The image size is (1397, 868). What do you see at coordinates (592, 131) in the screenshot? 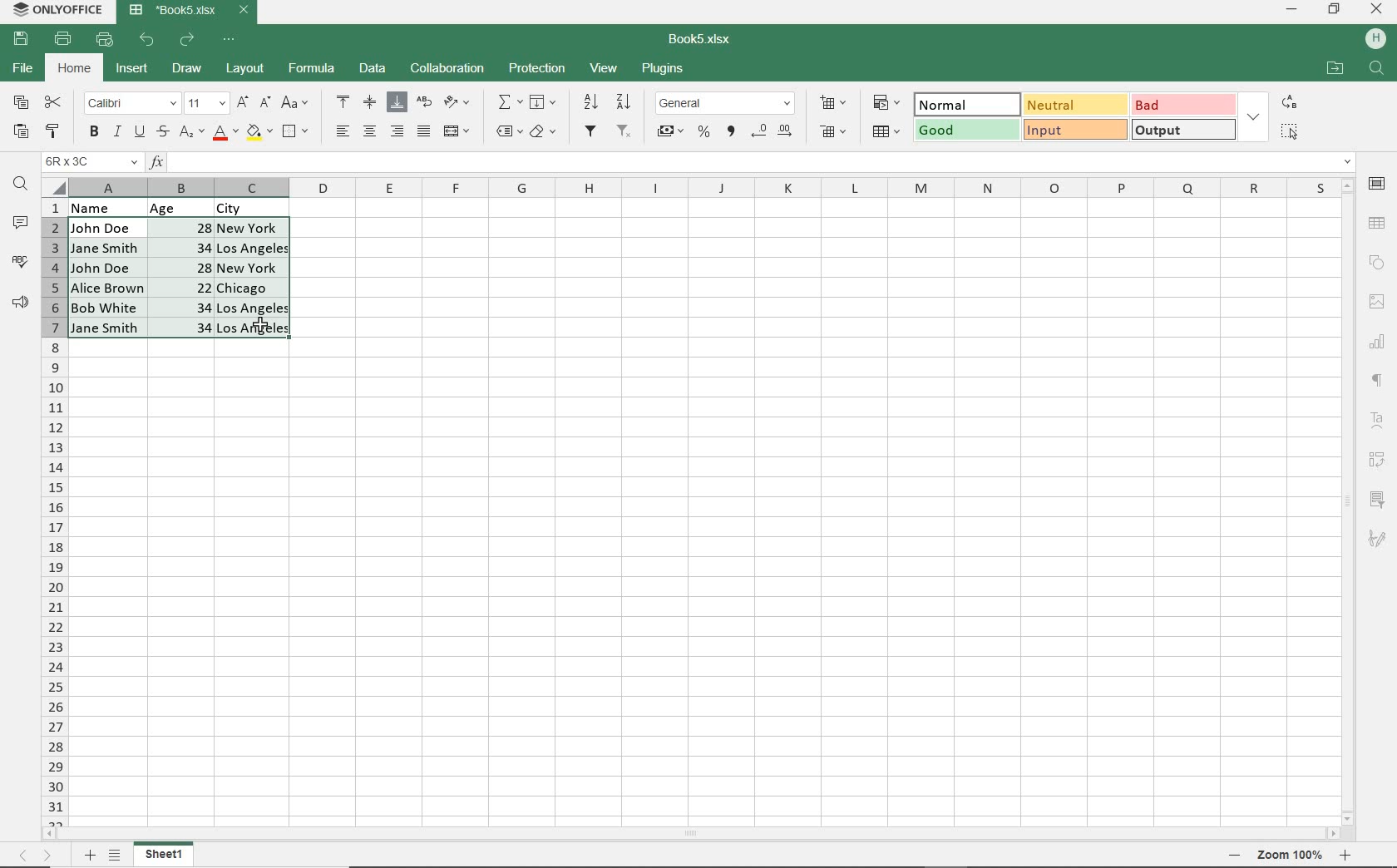
I see `FILTER` at bounding box center [592, 131].